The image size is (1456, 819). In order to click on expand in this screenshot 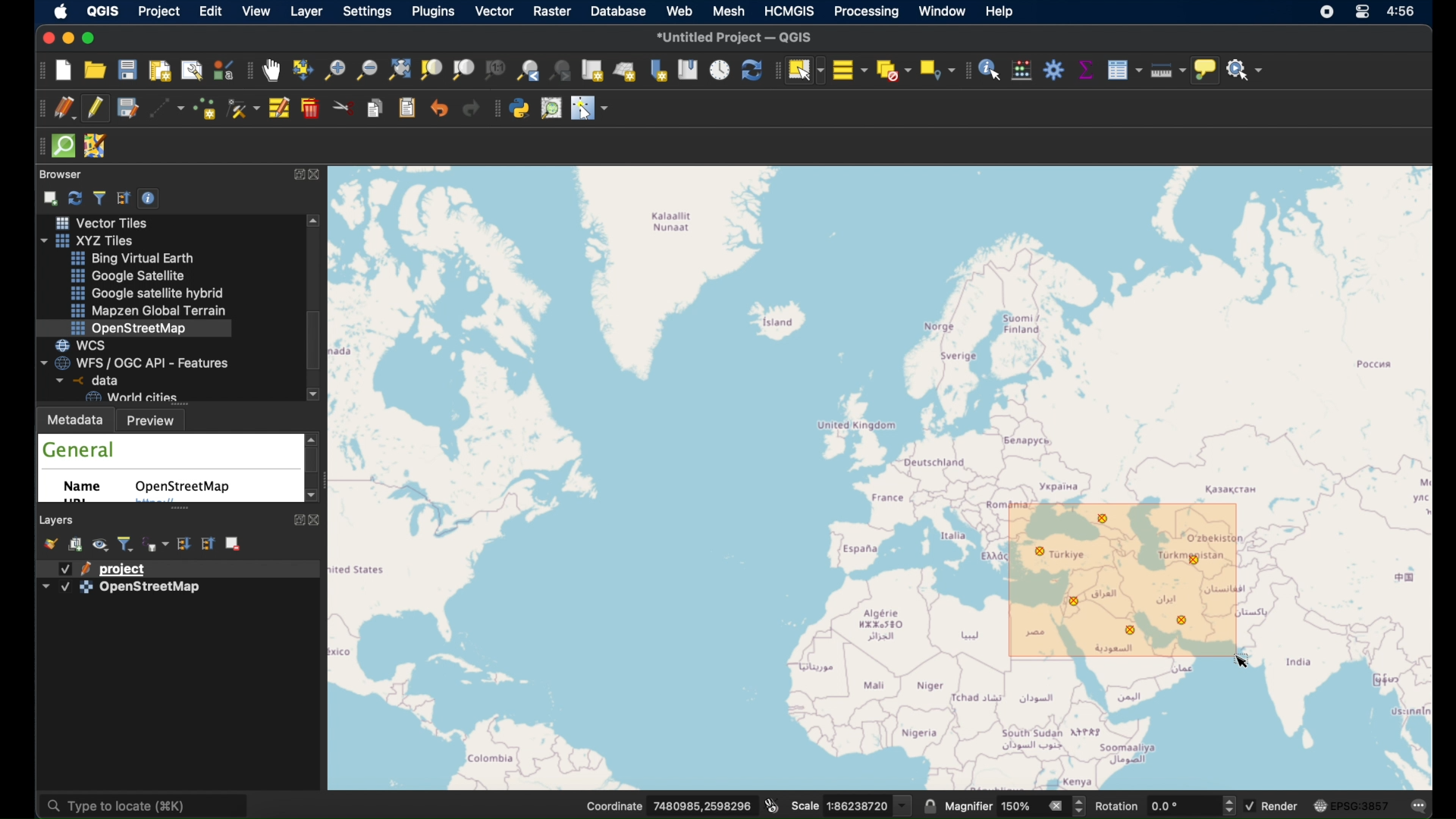, I will do `click(297, 522)`.